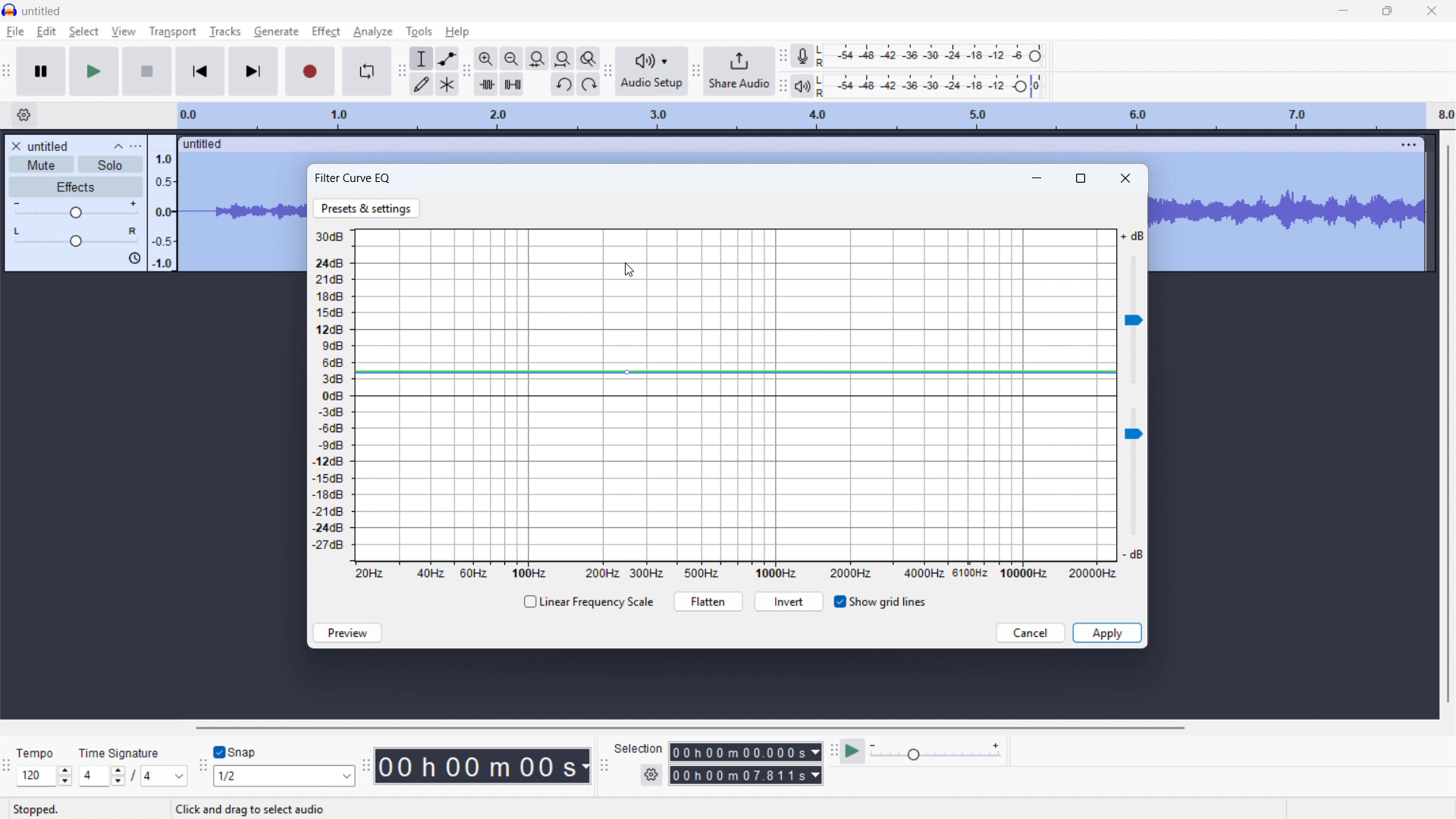  I want to click on Edit toolbar , so click(466, 73).